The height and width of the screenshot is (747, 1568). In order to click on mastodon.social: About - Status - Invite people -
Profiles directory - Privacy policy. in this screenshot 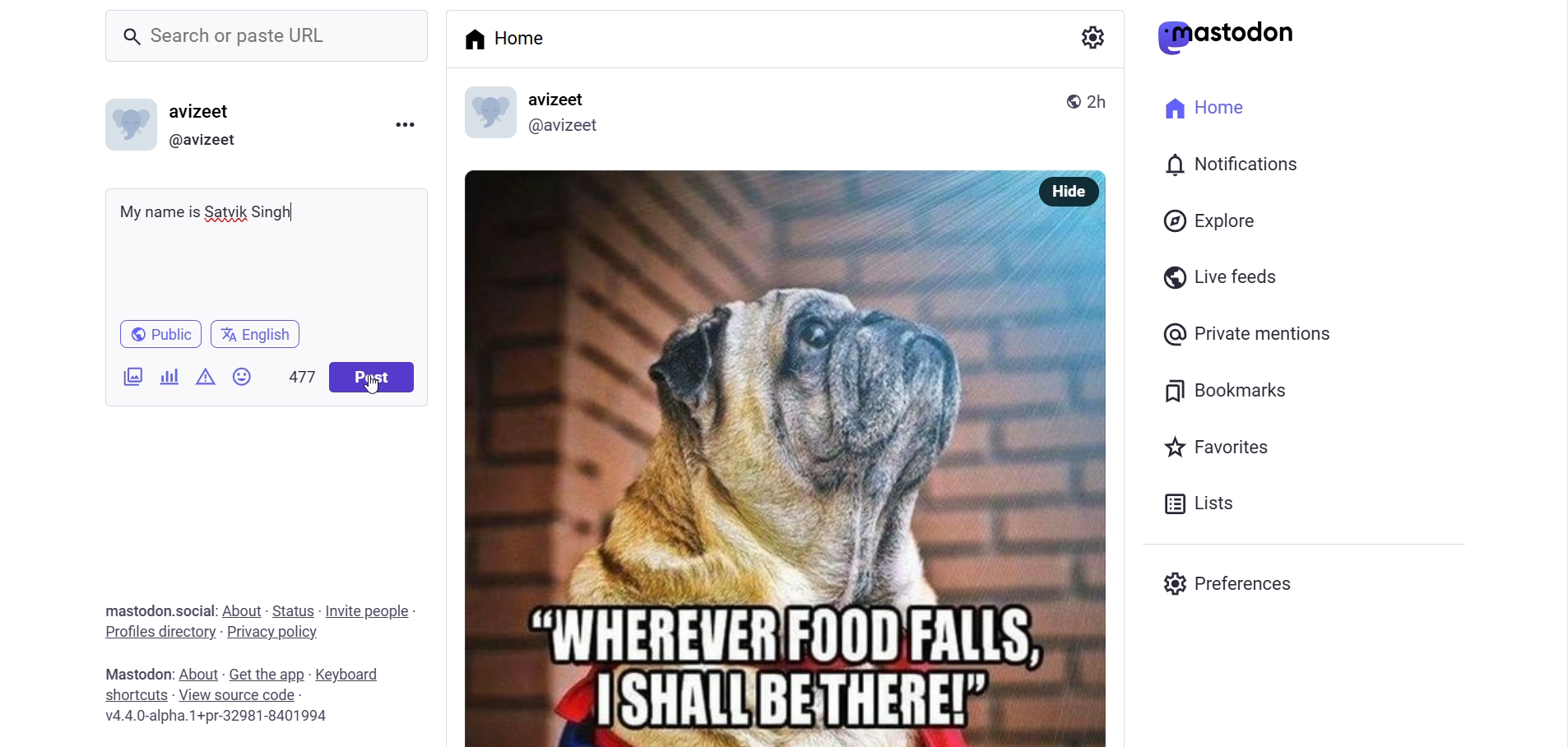, I will do `click(257, 622)`.